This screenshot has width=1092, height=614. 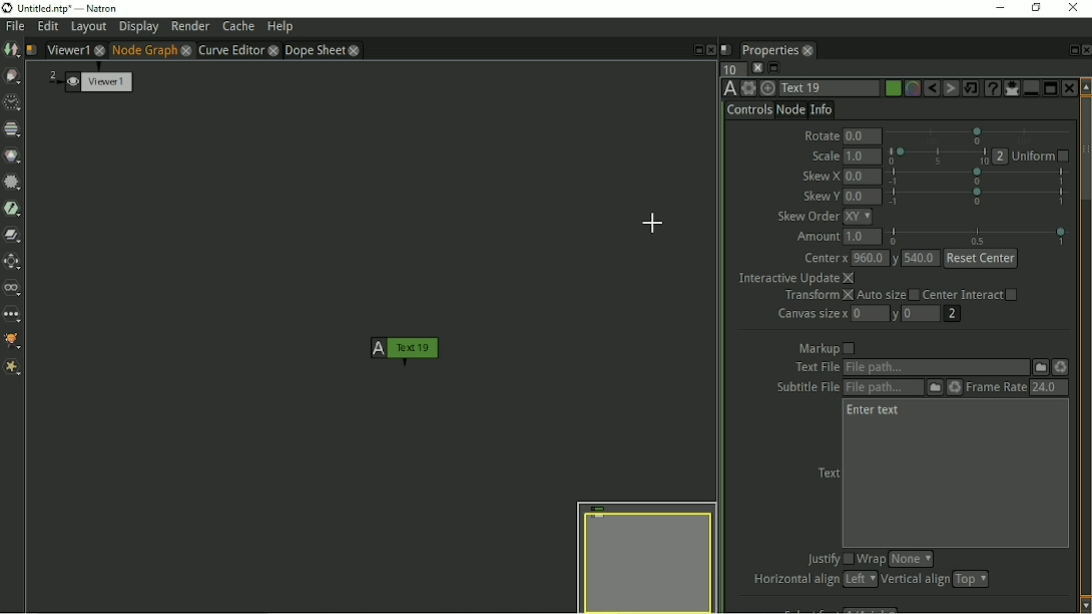 What do you see at coordinates (790, 110) in the screenshot?
I see `Node` at bounding box center [790, 110].